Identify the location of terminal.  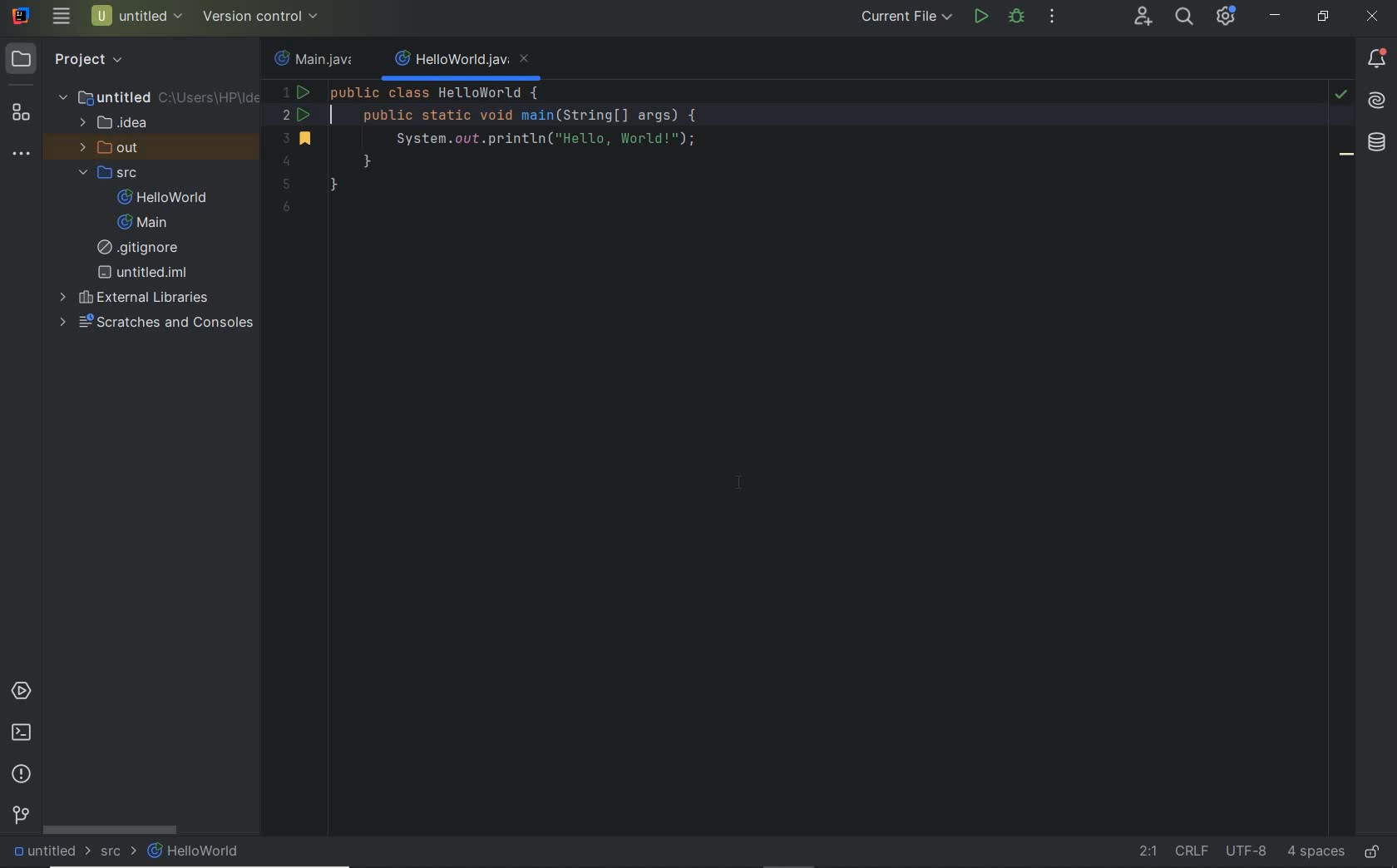
(21, 733).